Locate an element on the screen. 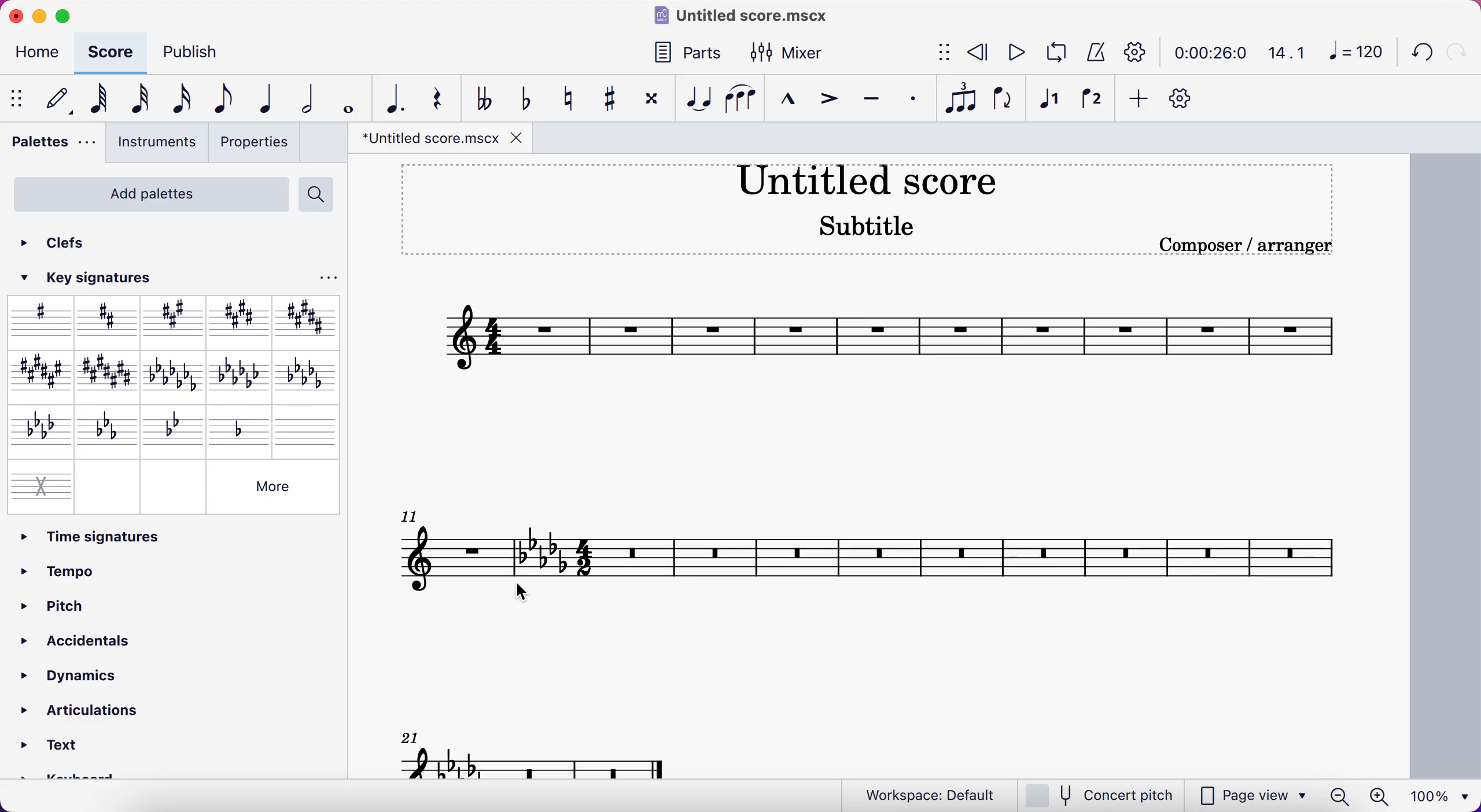 The height and width of the screenshot is (812, 1481). title score is located at coordinates (867, 182).